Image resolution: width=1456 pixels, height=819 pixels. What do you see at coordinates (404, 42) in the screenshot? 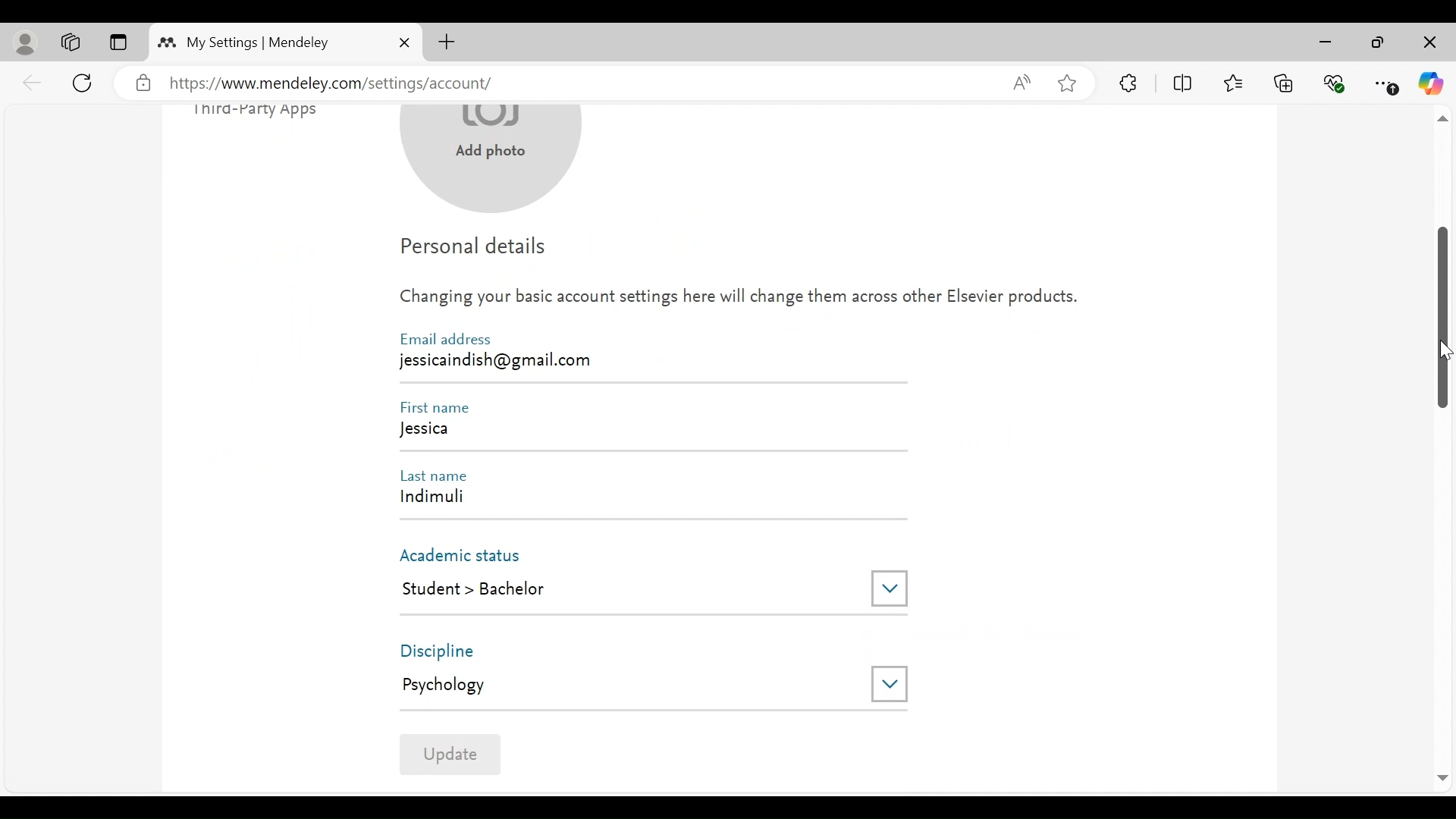
I see `Close` at bounding box center [404, 42].